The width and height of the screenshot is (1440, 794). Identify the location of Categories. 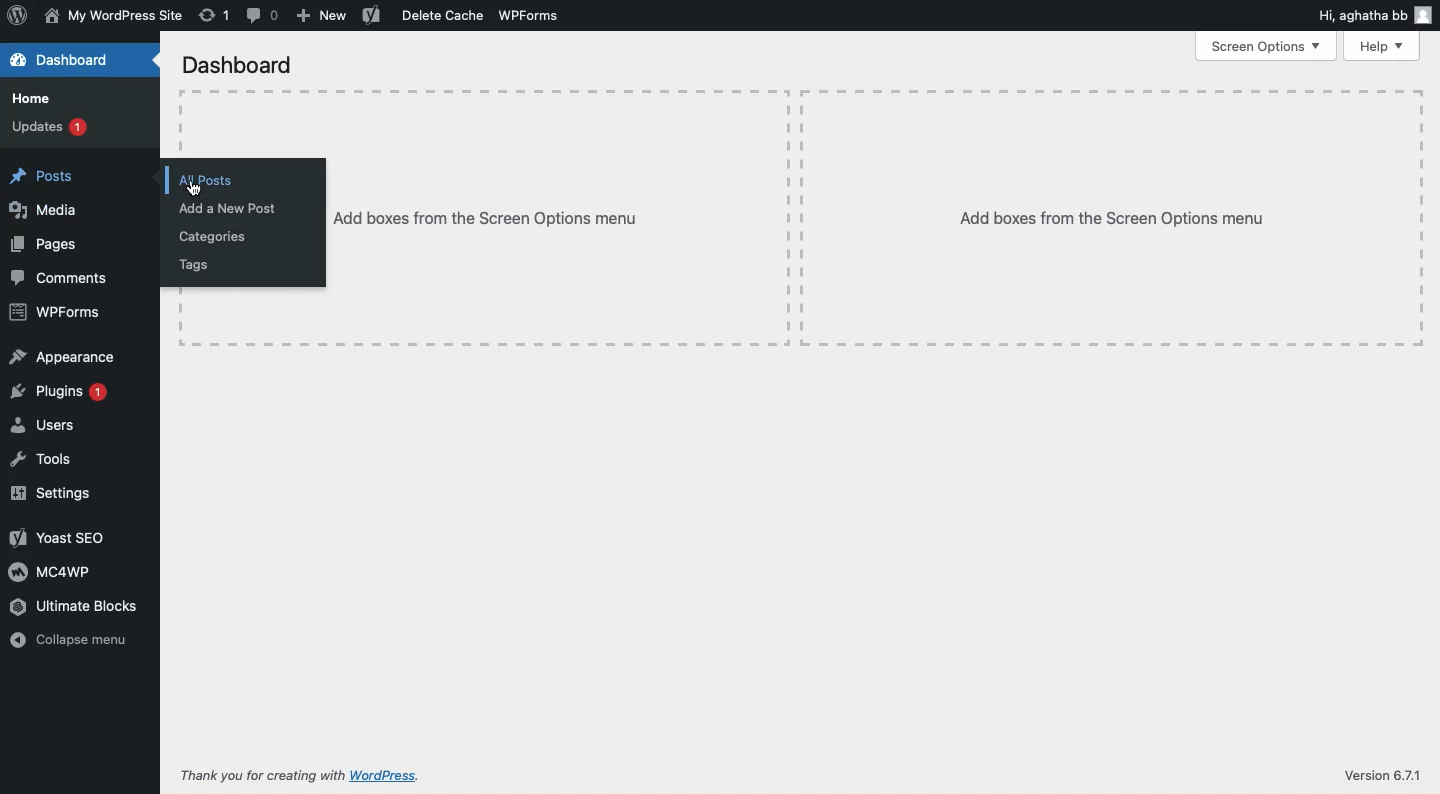
(215, 237).